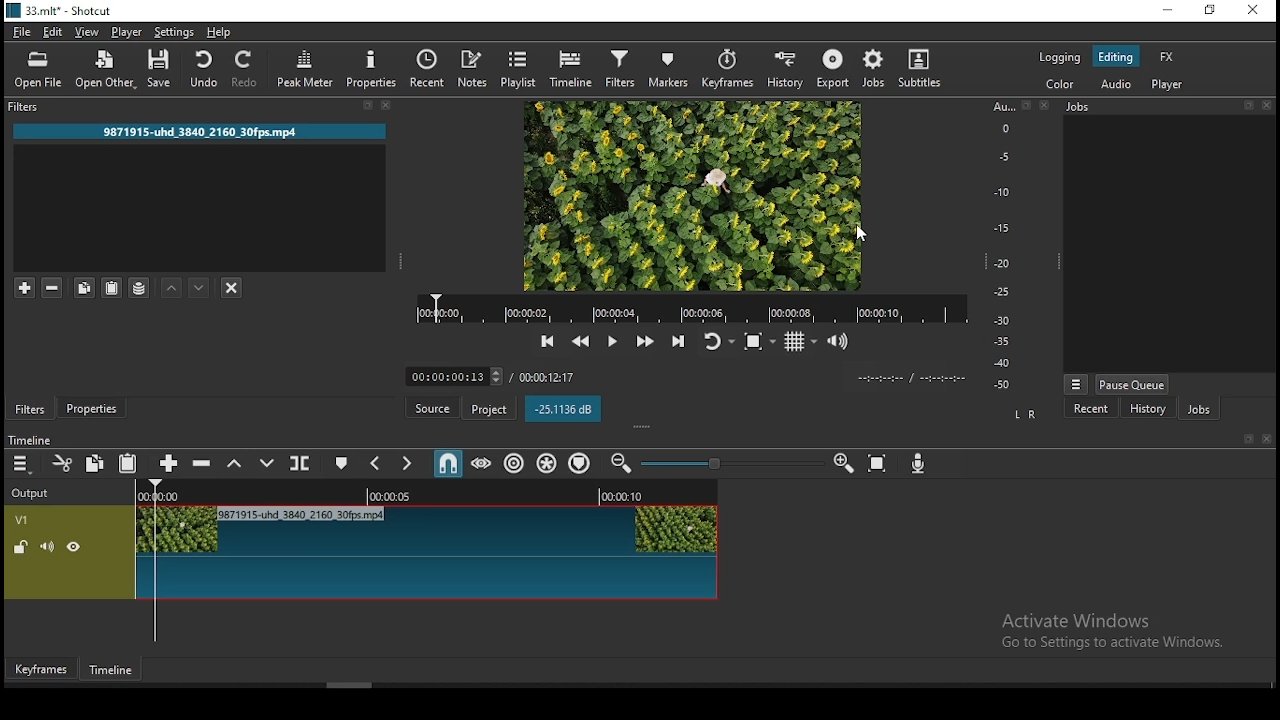 This screenshot has width=1280, height=720. I want to click on time line, so click(31, 438).